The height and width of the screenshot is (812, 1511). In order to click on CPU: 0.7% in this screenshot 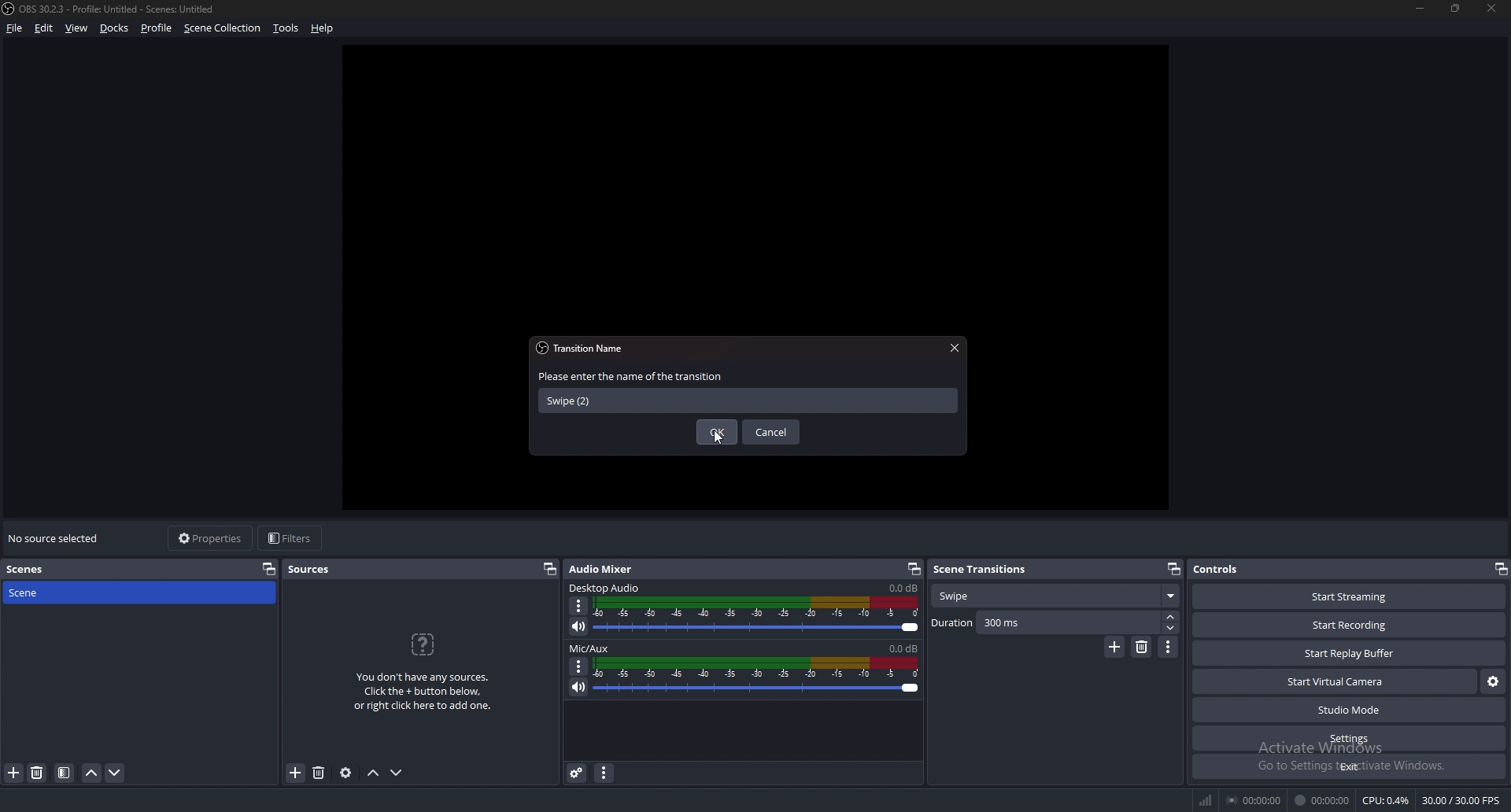, I will do `click(1387, 801)`.